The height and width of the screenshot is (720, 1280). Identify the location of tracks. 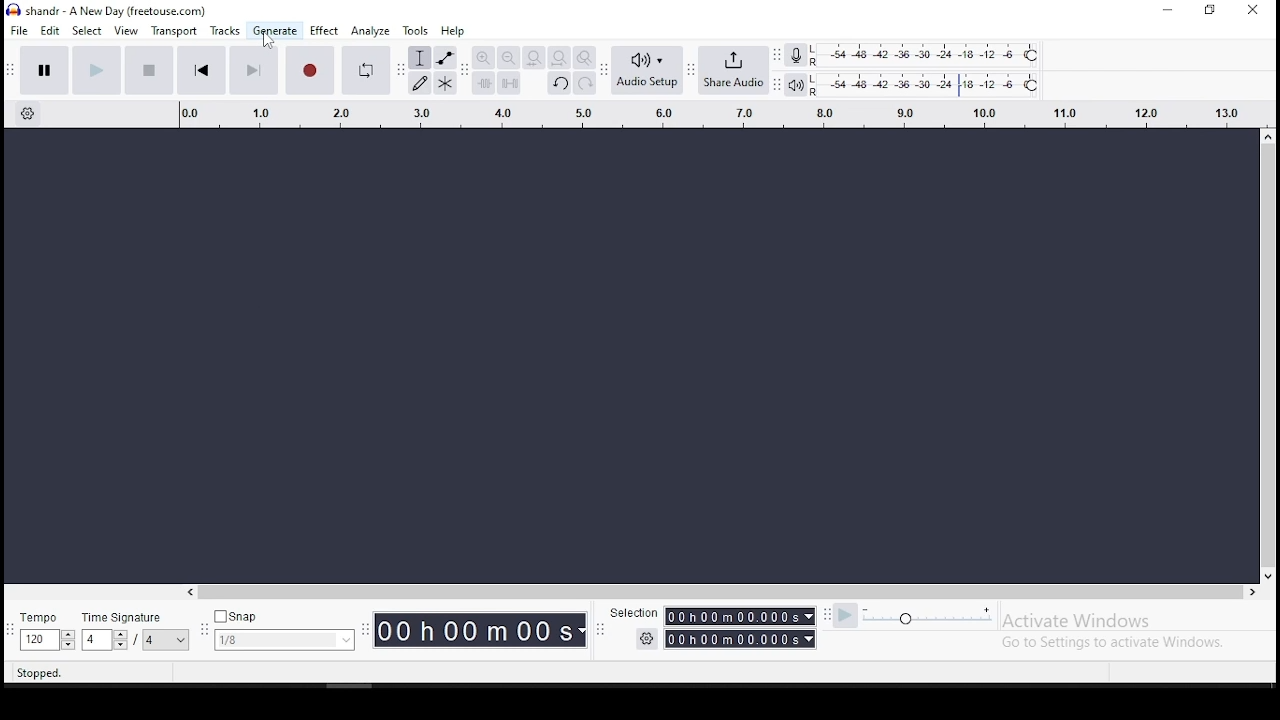
(224, 31).